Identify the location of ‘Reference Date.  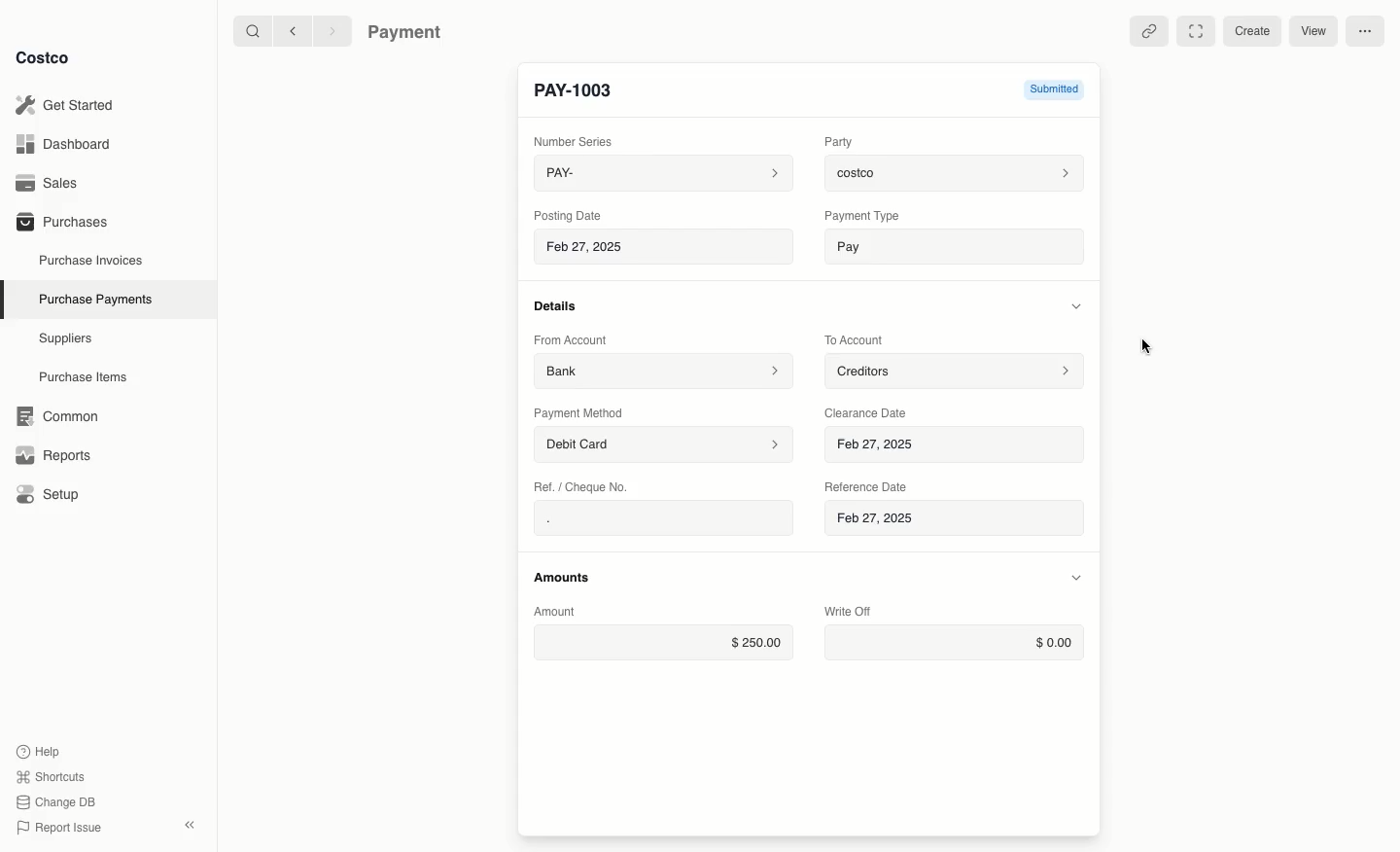
(863, 486).